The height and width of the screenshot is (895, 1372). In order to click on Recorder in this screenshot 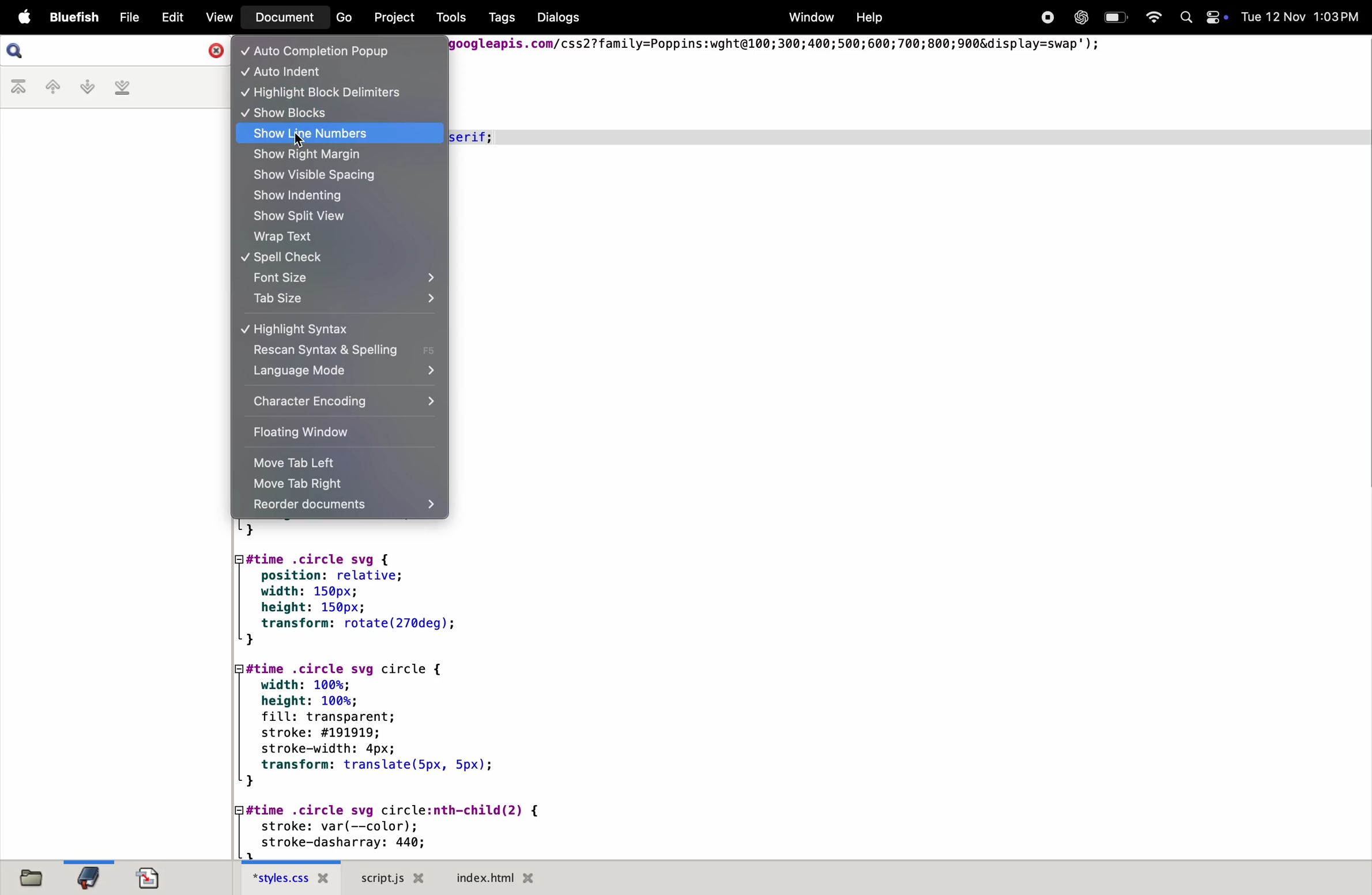, I will do `click(1043, 17)`.